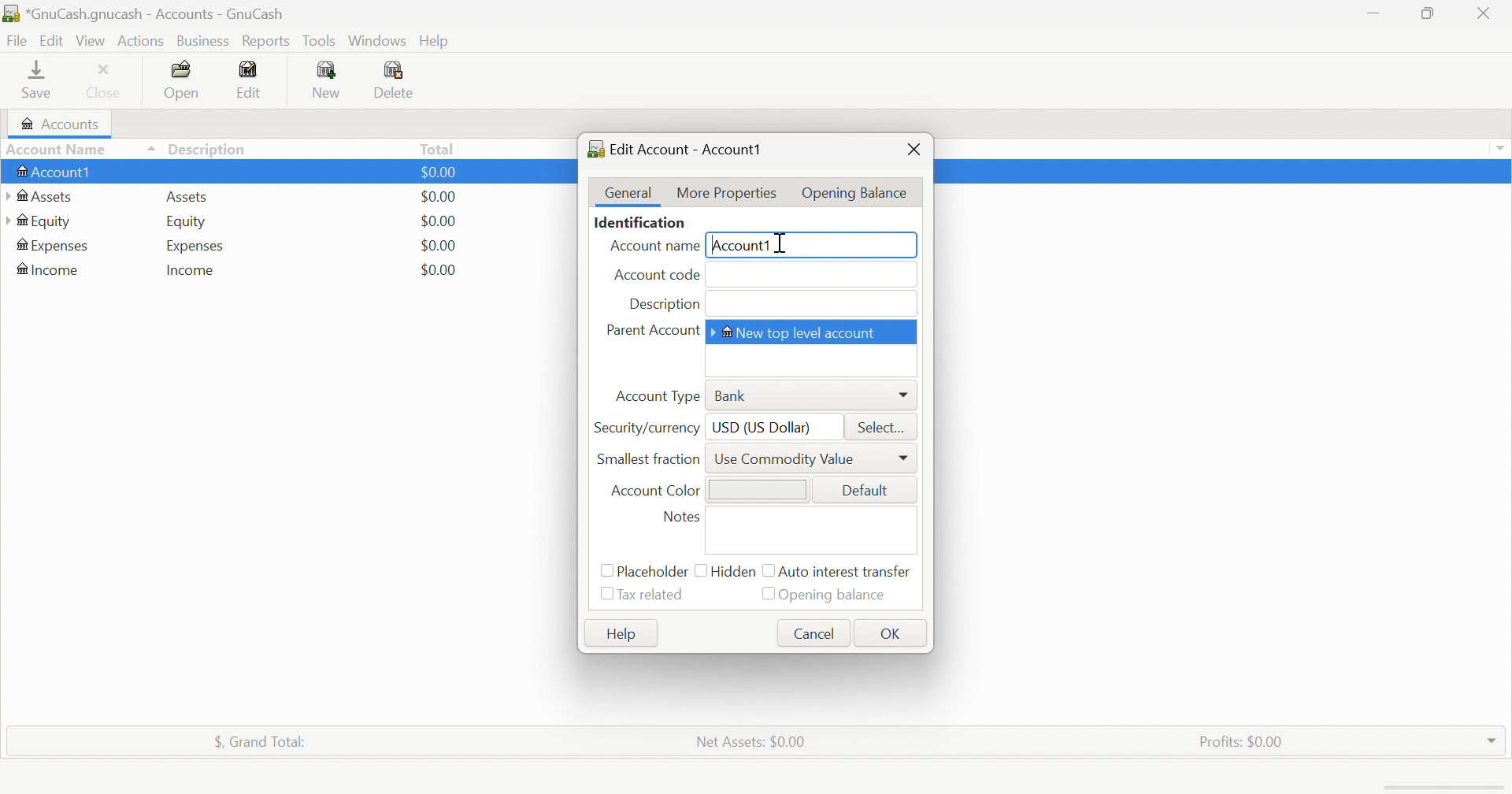 This screenshot has height=794, width=1512. What do you see at coordinates (726, 195) in the screenshot?
I see `More Properties` at bounding box center [726, 195].